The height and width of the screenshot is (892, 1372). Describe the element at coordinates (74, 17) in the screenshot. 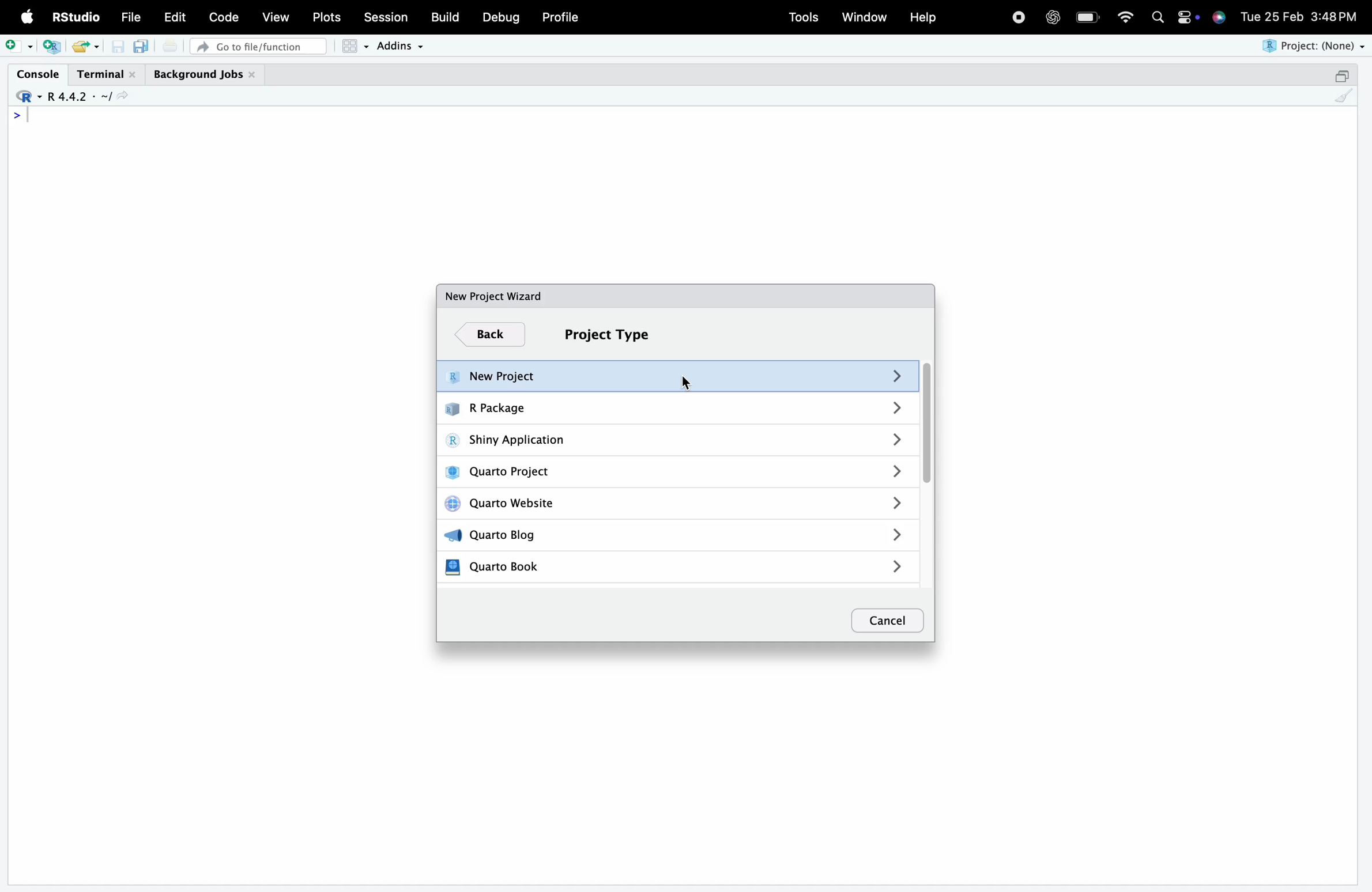

I see `RStudio` at that location.